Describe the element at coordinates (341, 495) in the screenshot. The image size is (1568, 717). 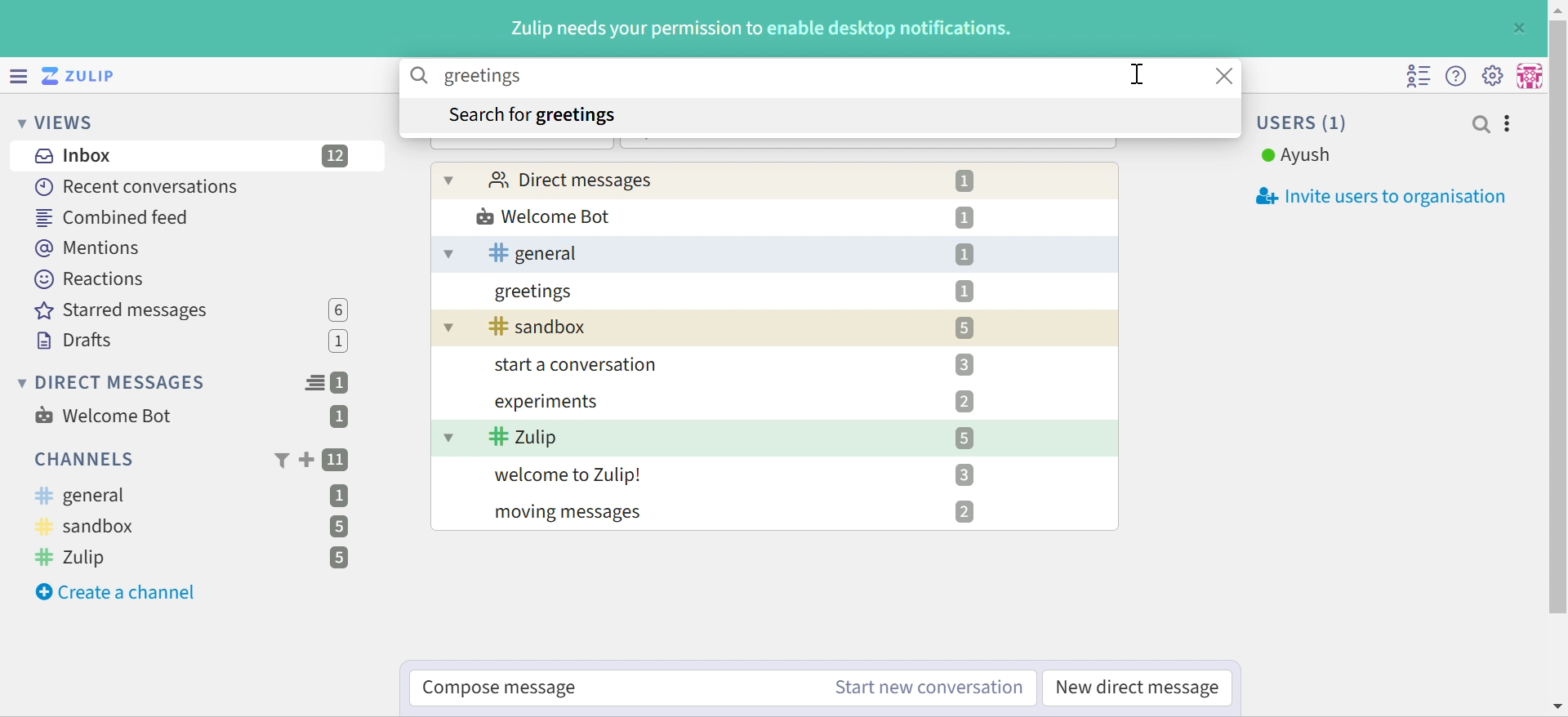
I see `1` at that location.